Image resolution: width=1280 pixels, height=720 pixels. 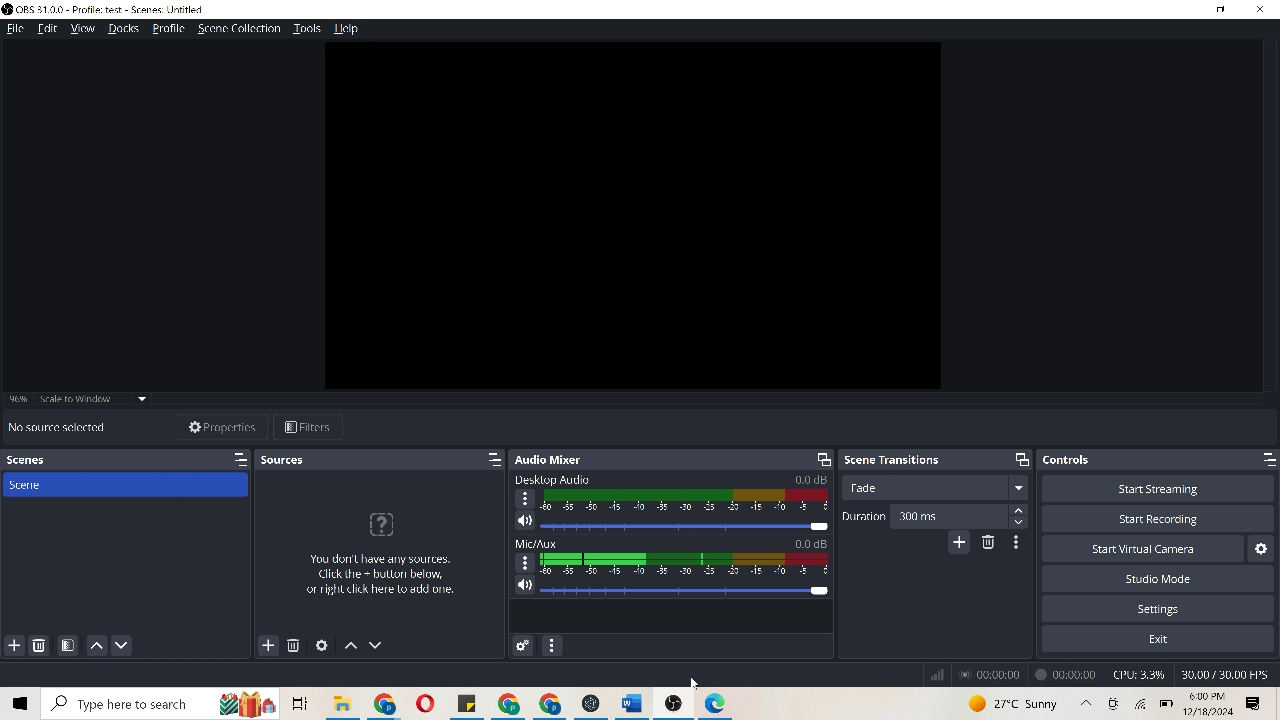 What do you see at coordinates (588, 701) in the screenshot?
I see `icon` at bounding box center [588, 701].